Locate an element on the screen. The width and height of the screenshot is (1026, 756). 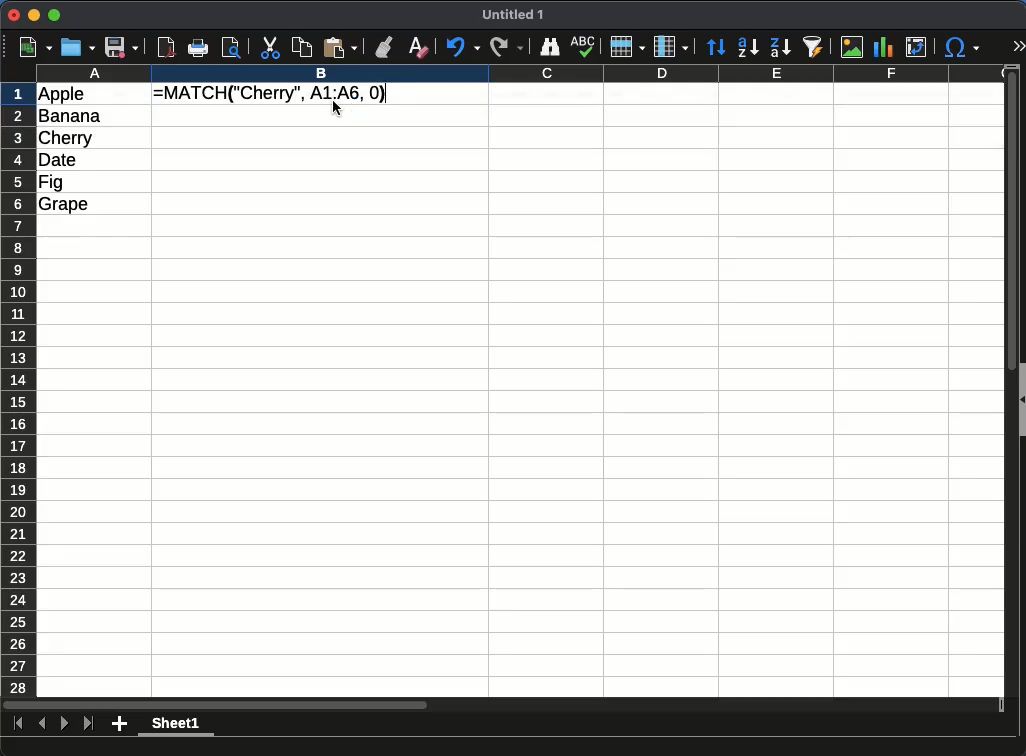
undo is located at coordinates (463, 47).